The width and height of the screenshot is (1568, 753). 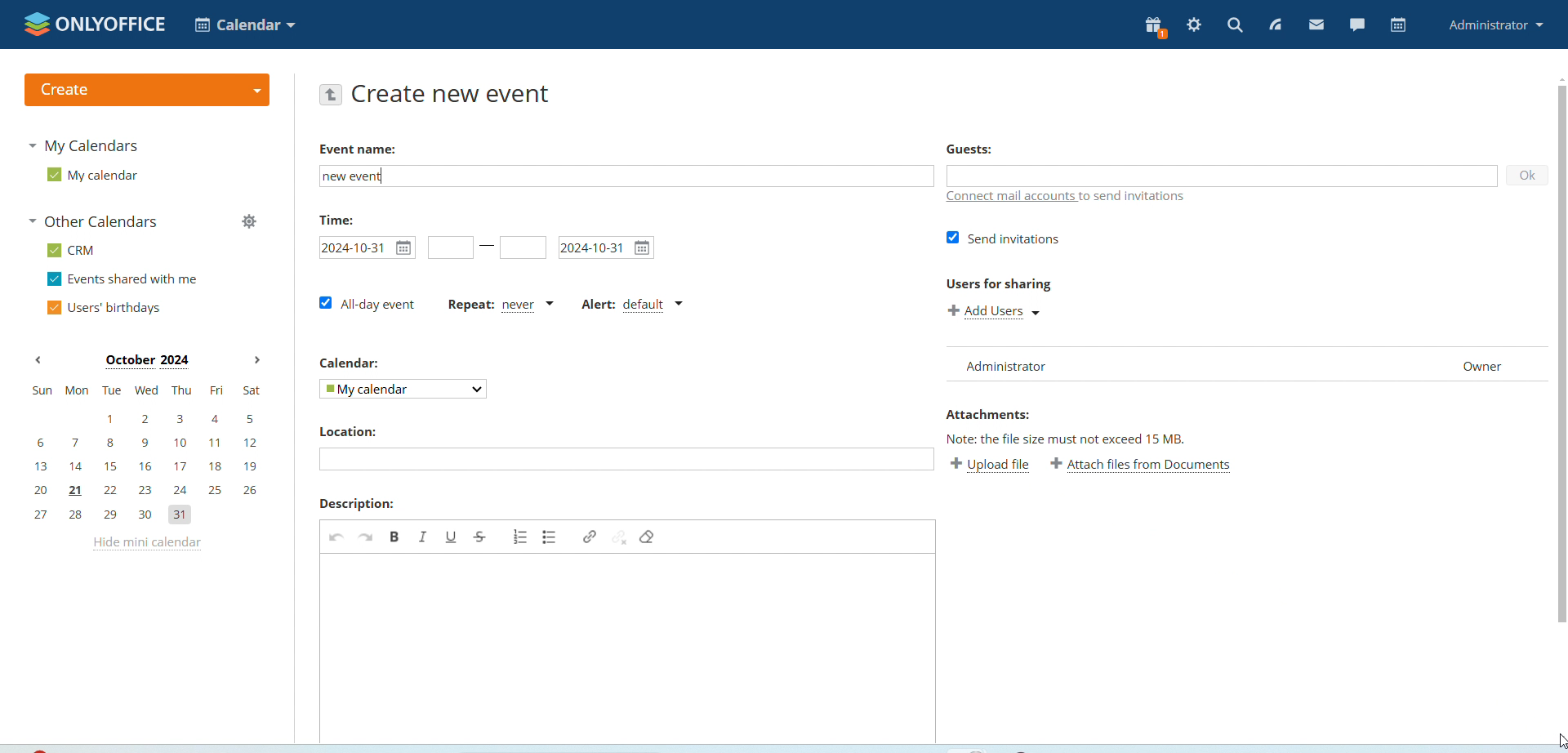 What do you see at coordinates (146, 545) in the screenshot?
I see `hide mini calendar` at bounding box center [146, 545].